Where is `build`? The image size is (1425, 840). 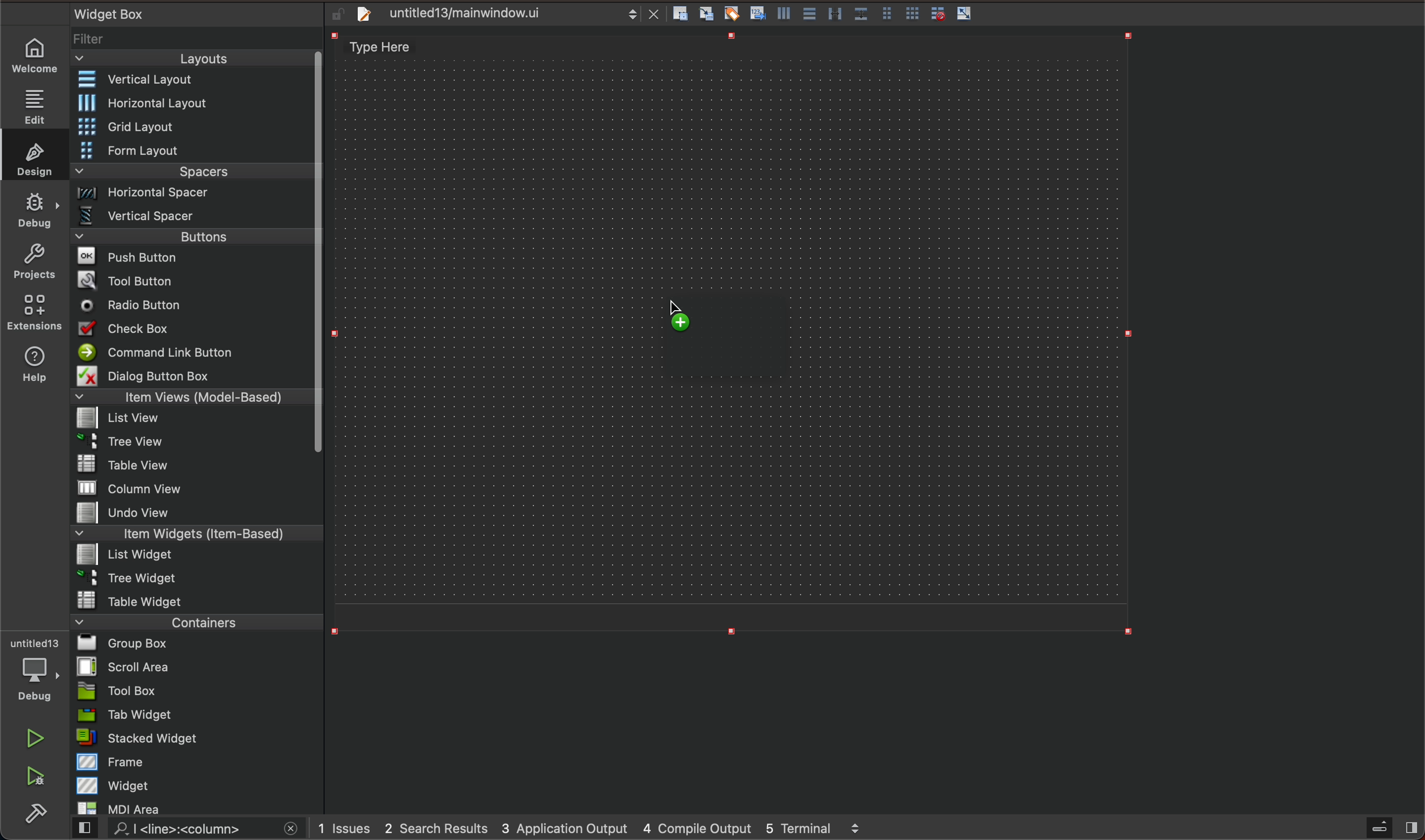 build is located at coordinates (40, 811).